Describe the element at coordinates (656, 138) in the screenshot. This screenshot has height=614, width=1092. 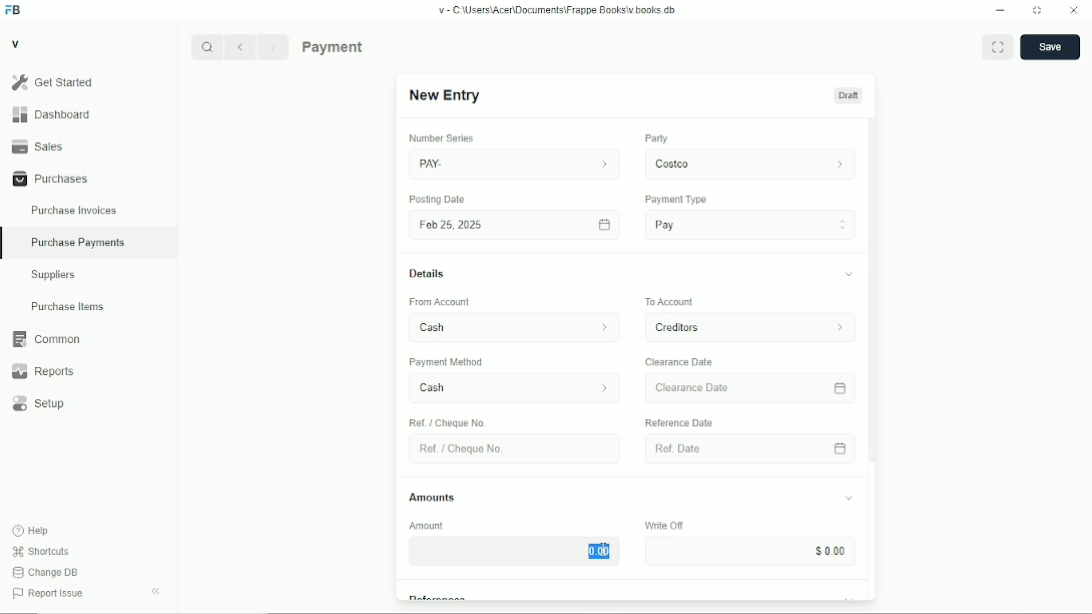
I see `Party` at that location.